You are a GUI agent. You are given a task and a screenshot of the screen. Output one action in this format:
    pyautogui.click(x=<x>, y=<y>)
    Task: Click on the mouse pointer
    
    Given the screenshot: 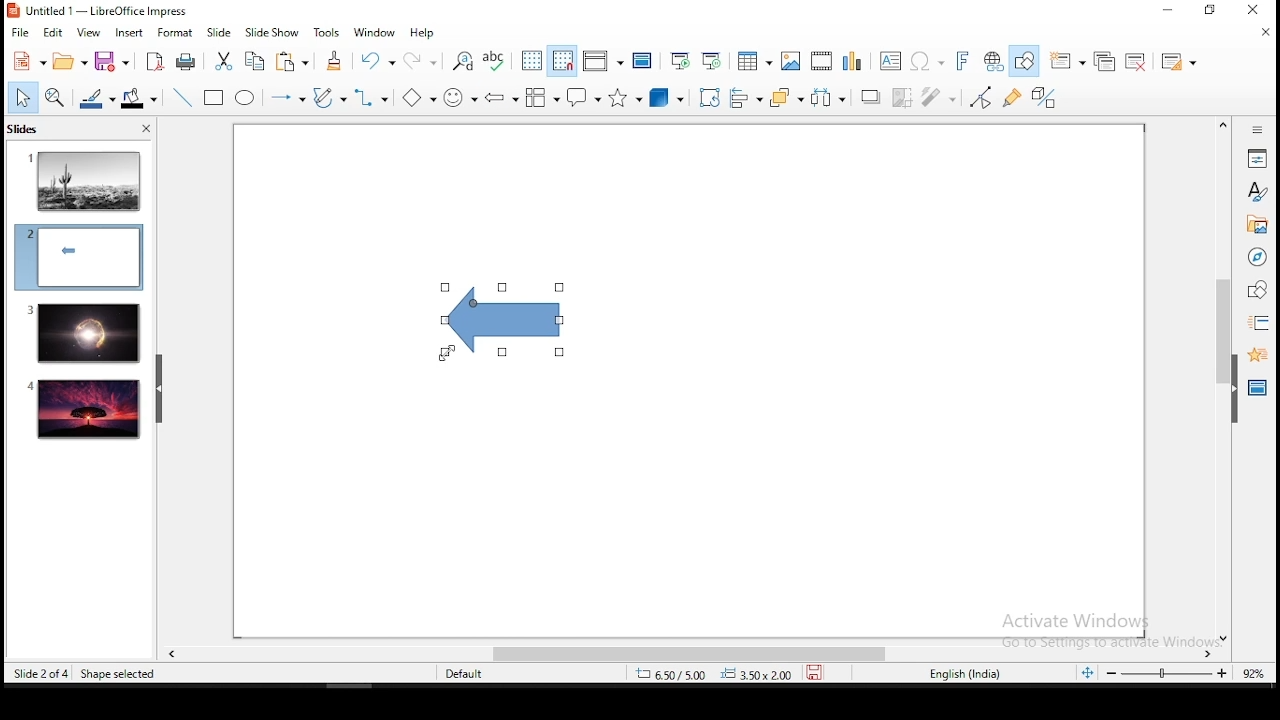 What is the action you would take?
    pyautogui.click(x=448, y=353)
    